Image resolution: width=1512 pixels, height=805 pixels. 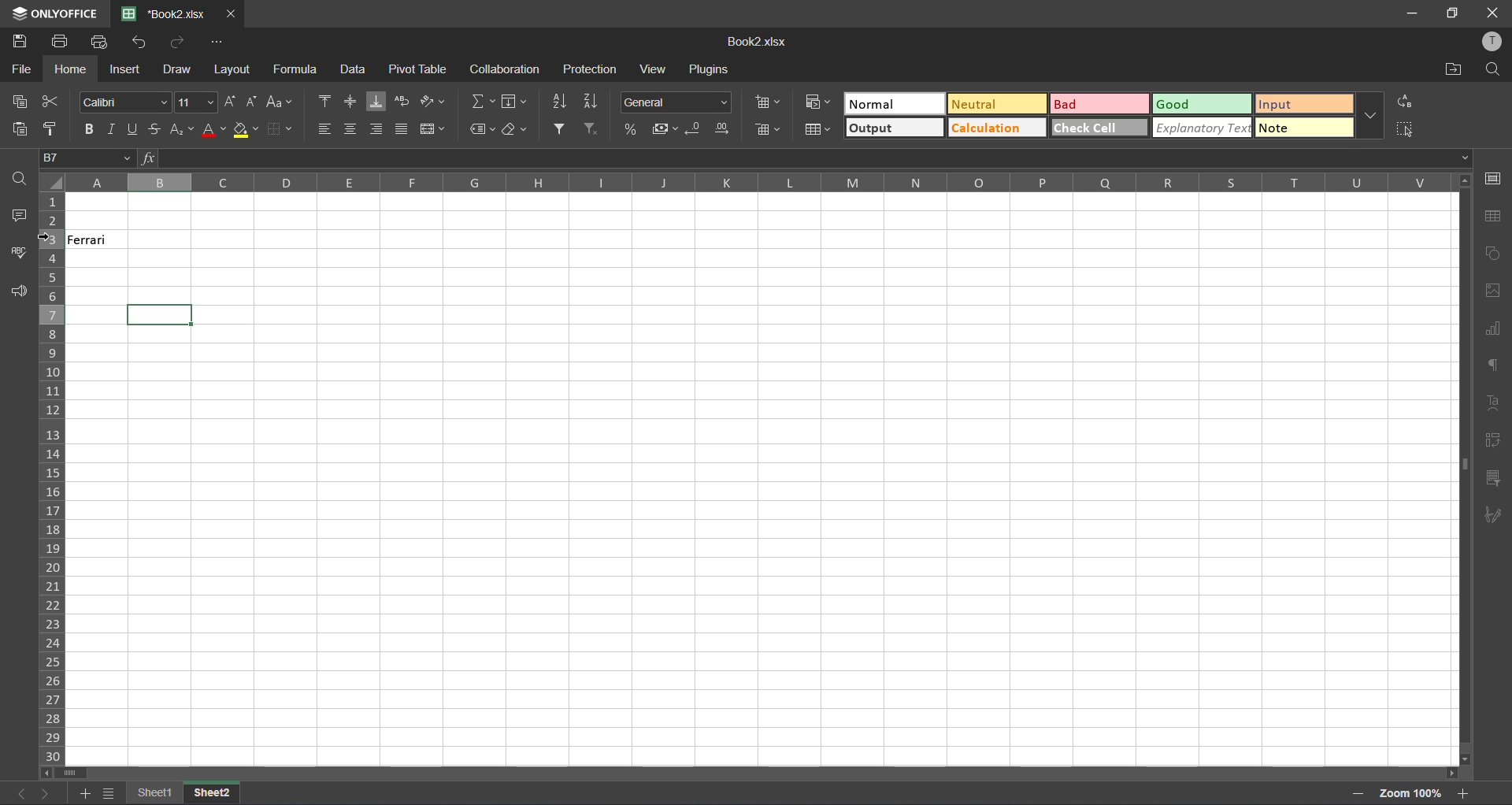 I want to click on input, so click(x=1303, y=106).